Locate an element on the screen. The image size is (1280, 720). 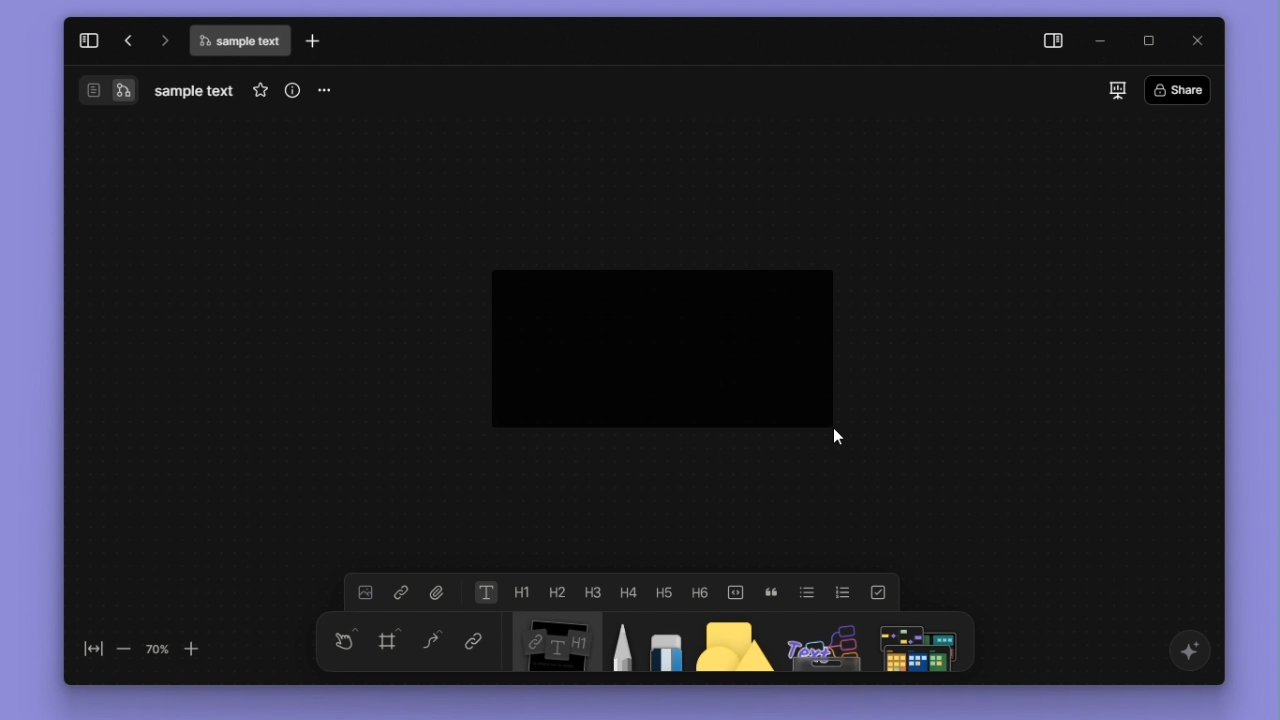
go forward is located at coordinates (162, 39).